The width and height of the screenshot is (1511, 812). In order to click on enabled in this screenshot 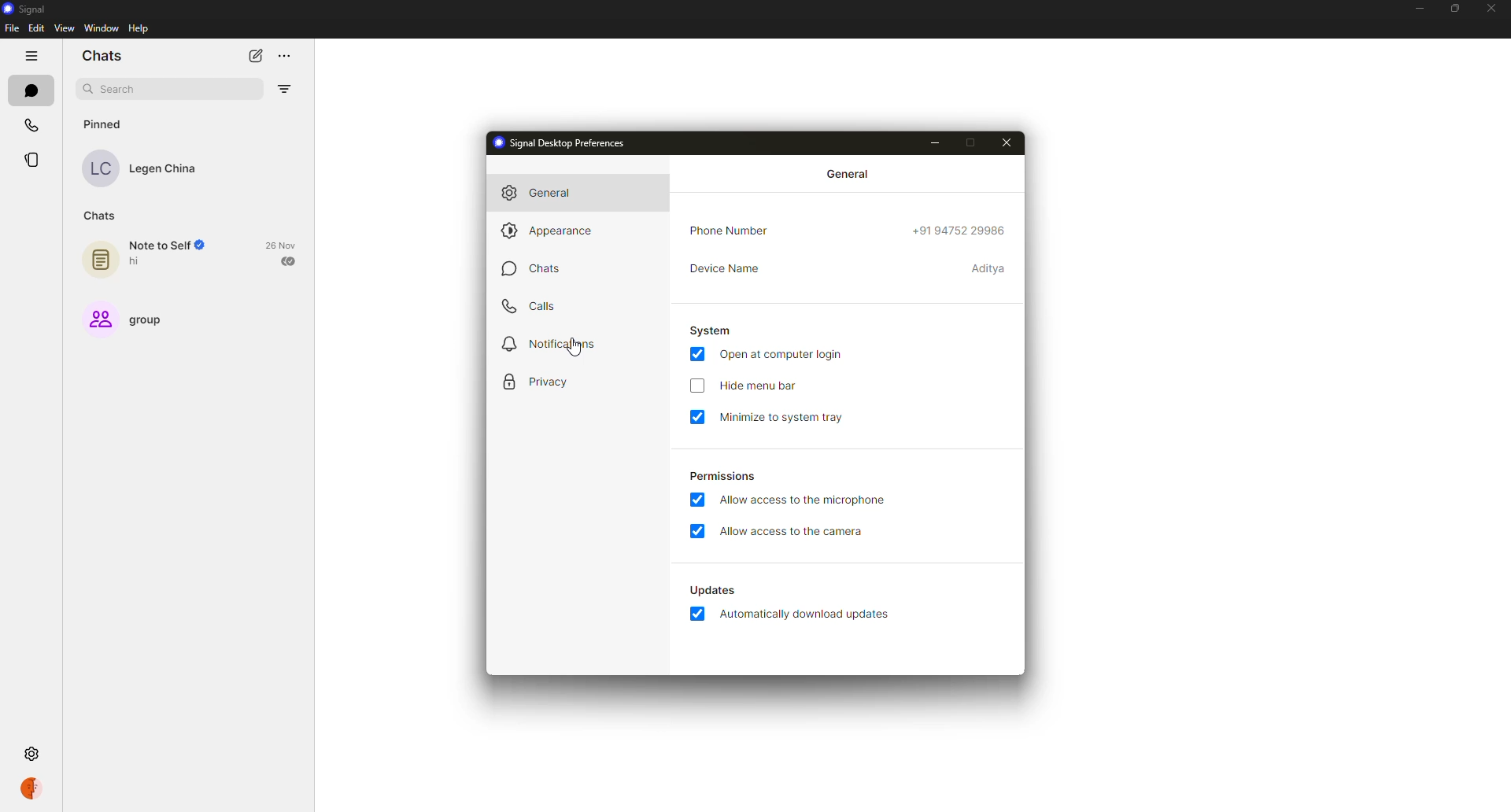, I will do `click(696, 500)`.